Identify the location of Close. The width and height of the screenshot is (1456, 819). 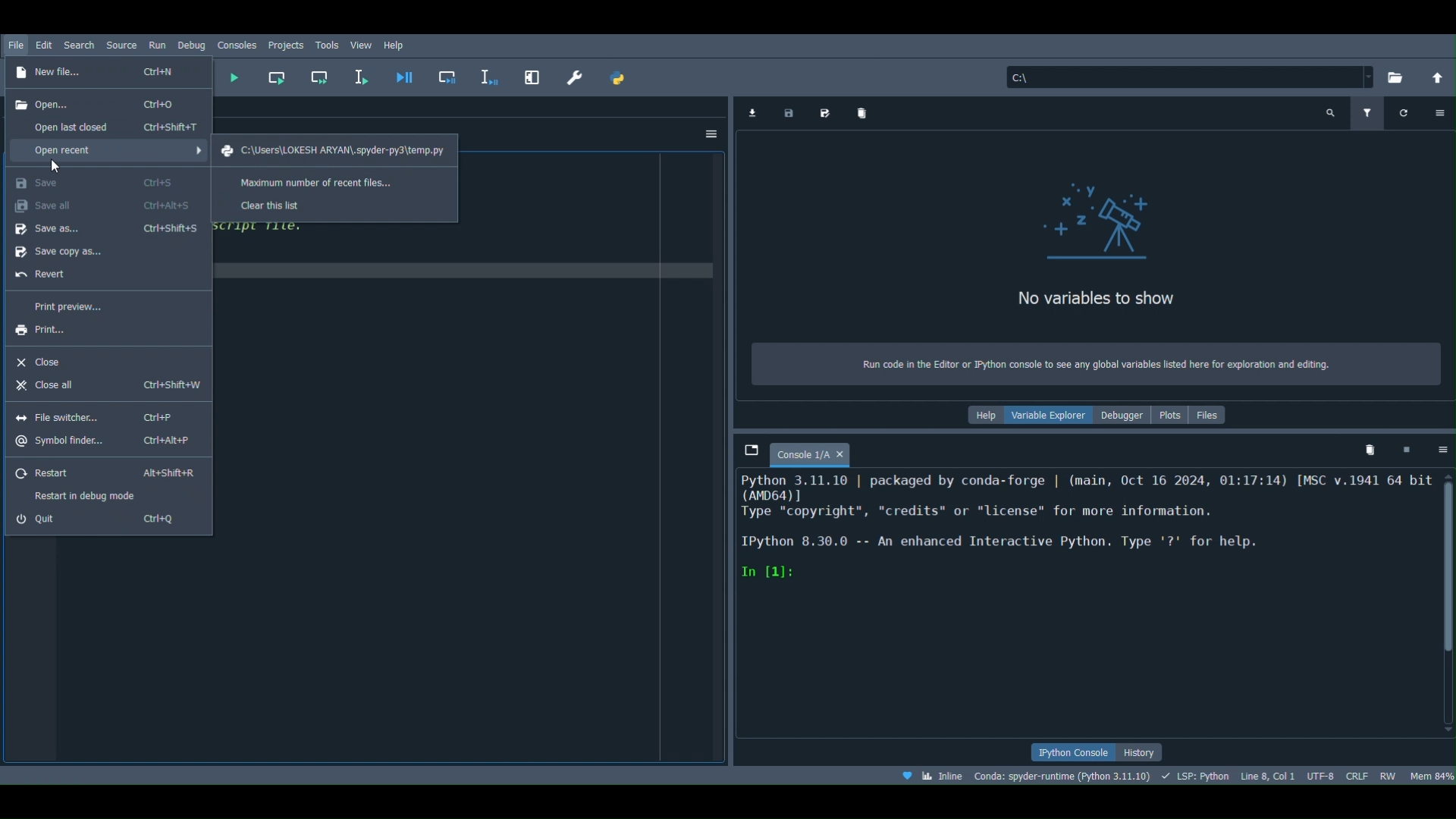
(88, 359).